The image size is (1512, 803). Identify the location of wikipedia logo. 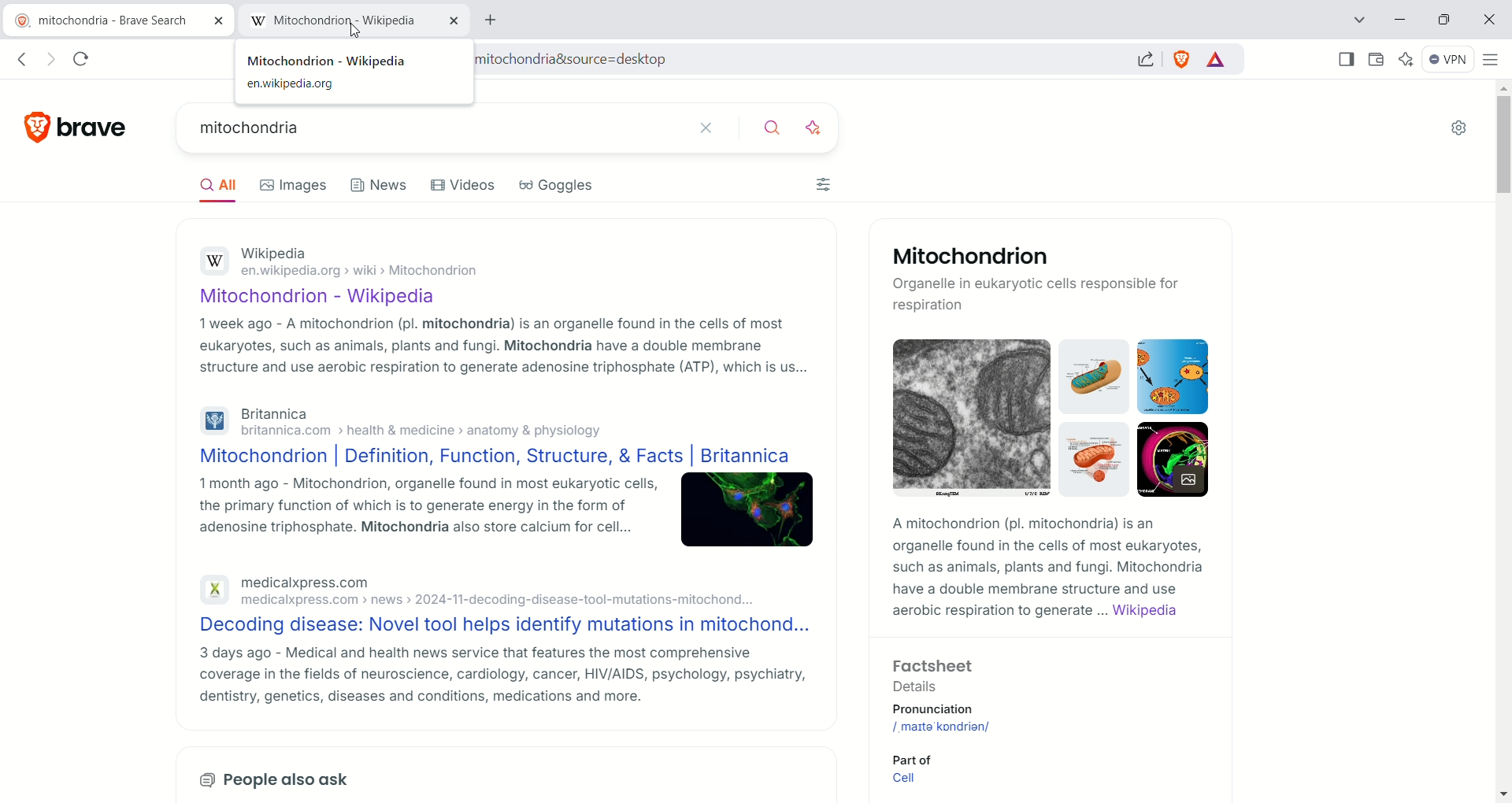
(213, 260).